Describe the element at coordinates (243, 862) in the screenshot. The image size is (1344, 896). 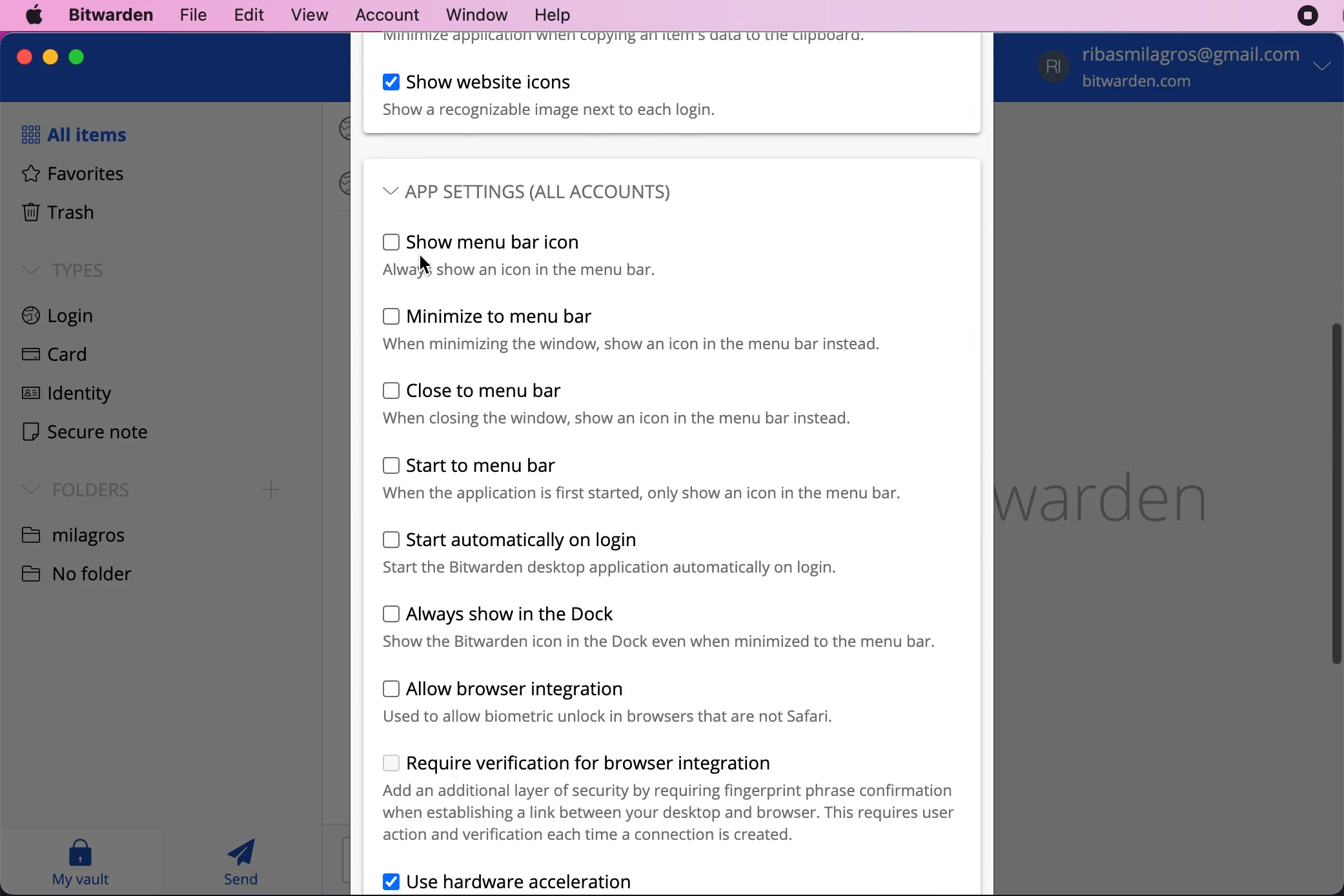
I see `send` at that location.